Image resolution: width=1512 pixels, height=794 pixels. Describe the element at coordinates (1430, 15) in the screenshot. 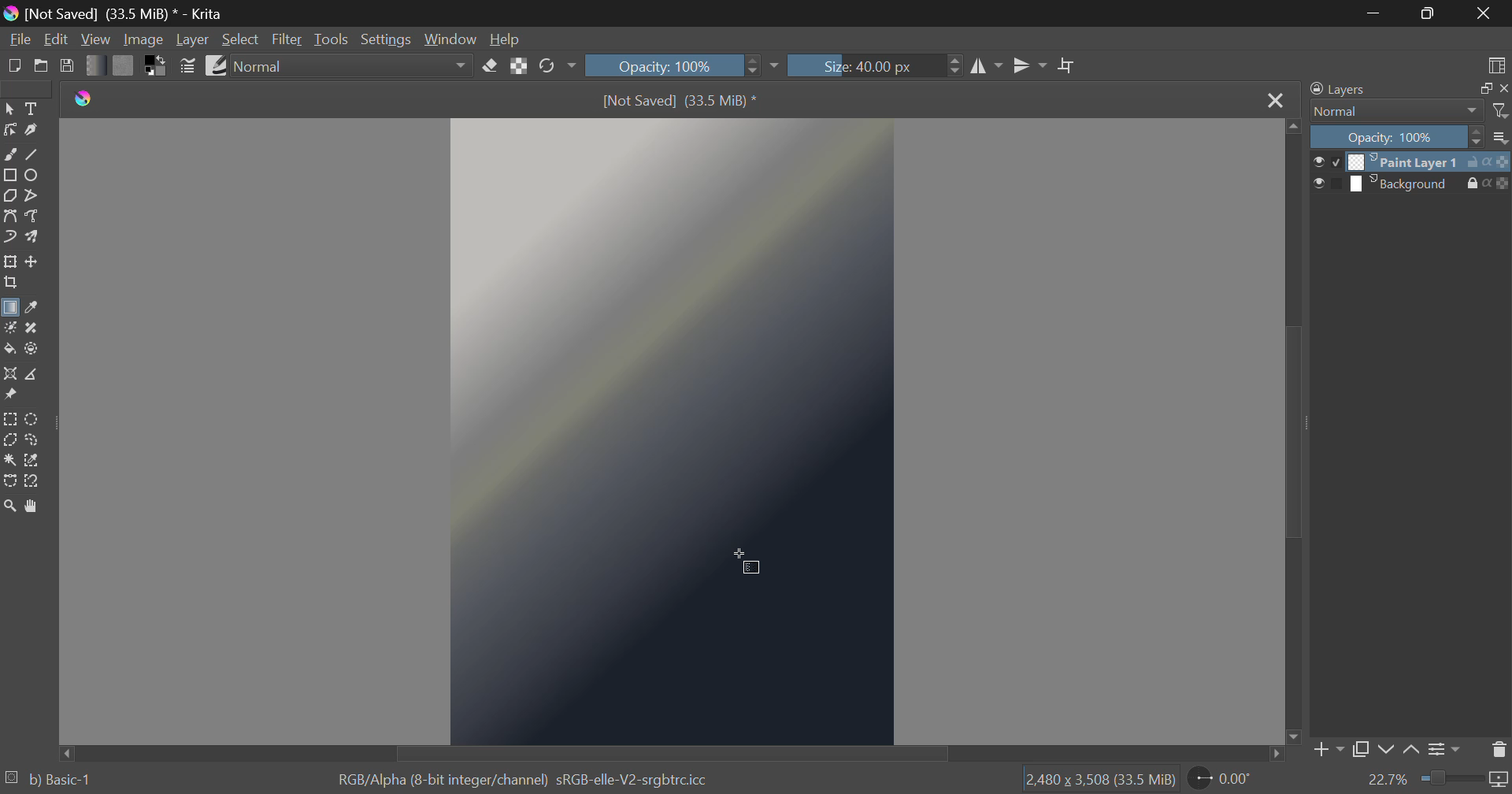

I see `Minimize` at that location.